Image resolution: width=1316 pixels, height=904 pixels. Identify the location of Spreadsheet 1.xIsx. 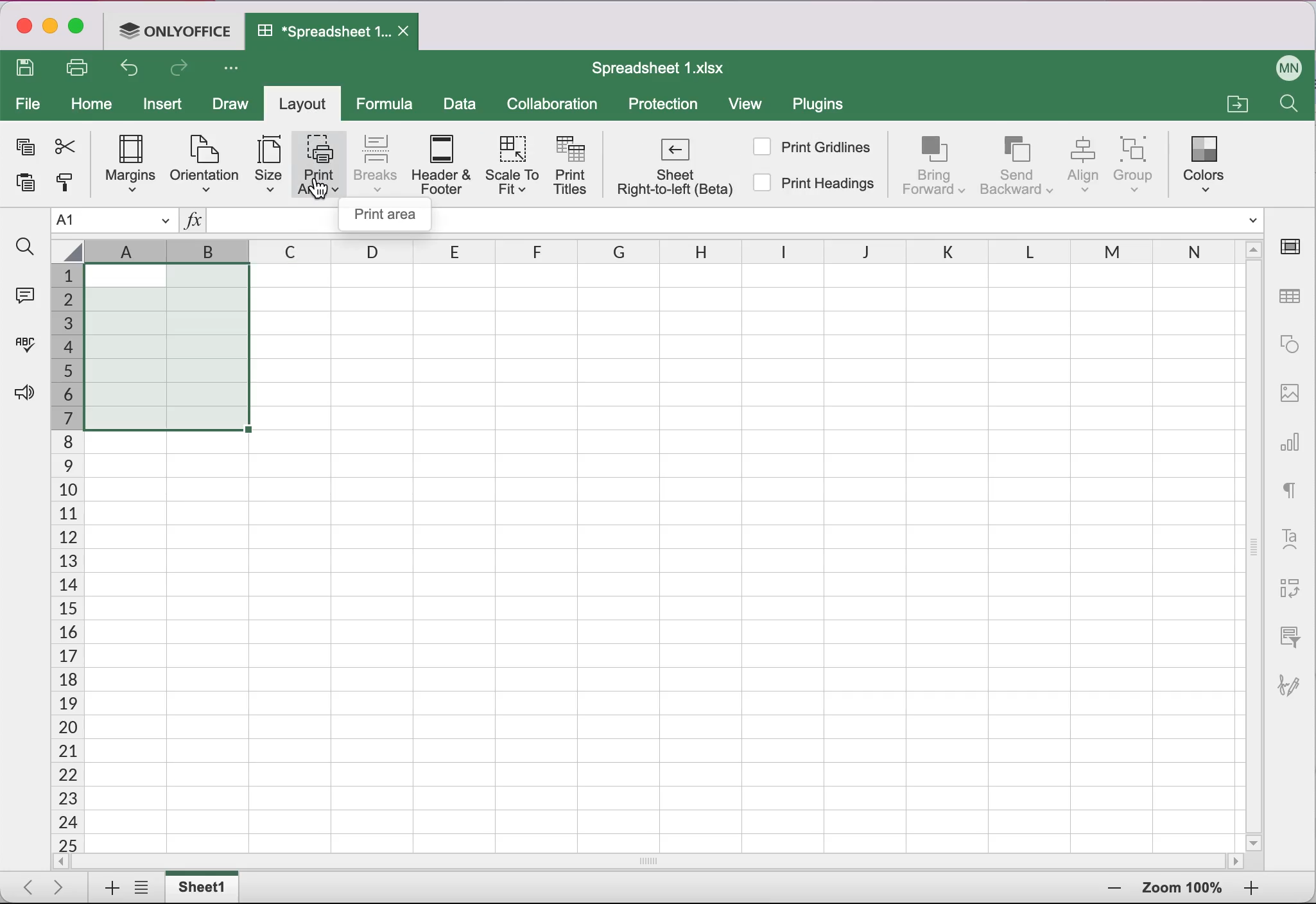
(666, 68).